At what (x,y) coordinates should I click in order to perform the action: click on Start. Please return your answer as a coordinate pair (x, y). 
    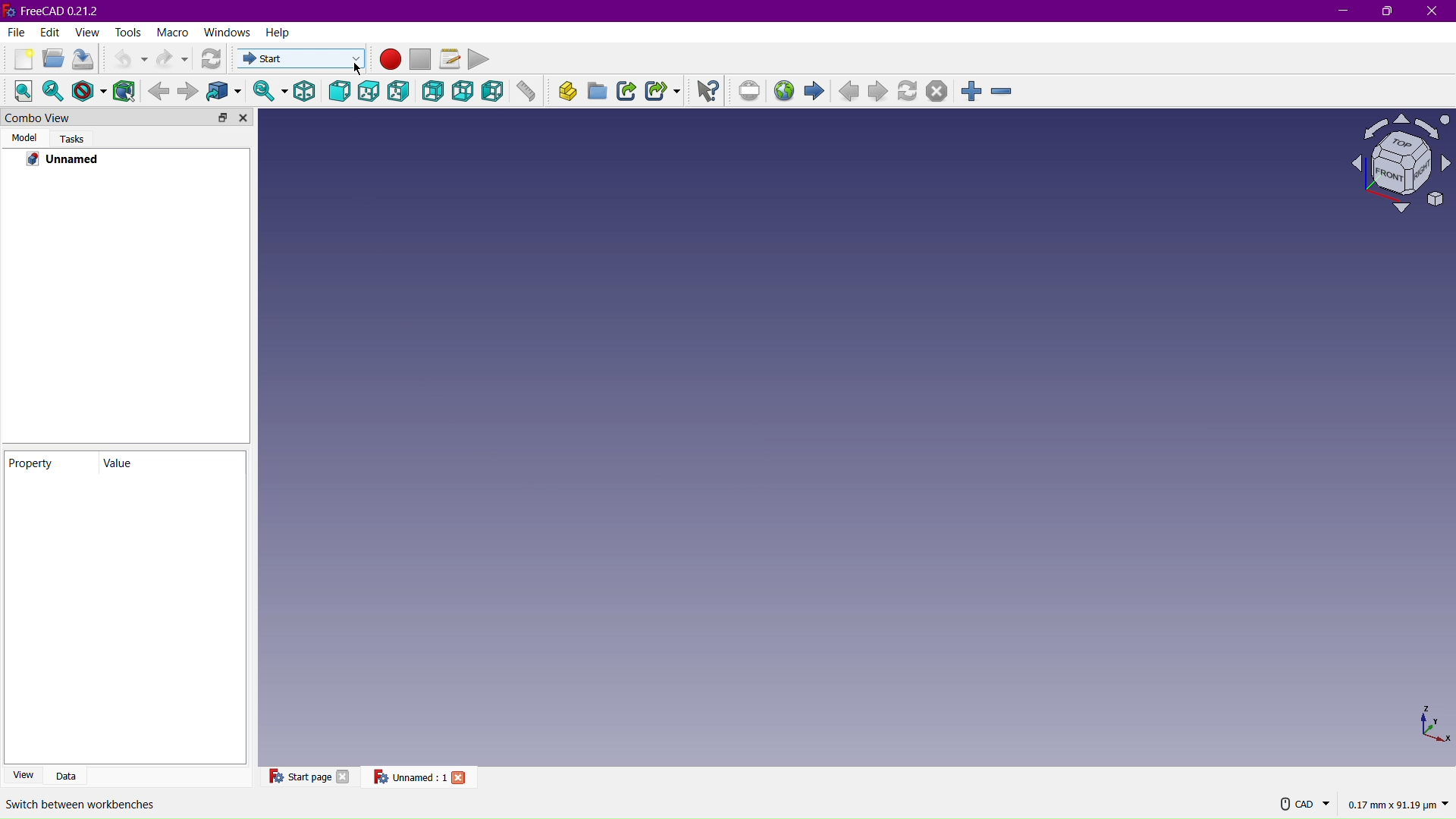
    Looking at the image, I should click on (818, 93).